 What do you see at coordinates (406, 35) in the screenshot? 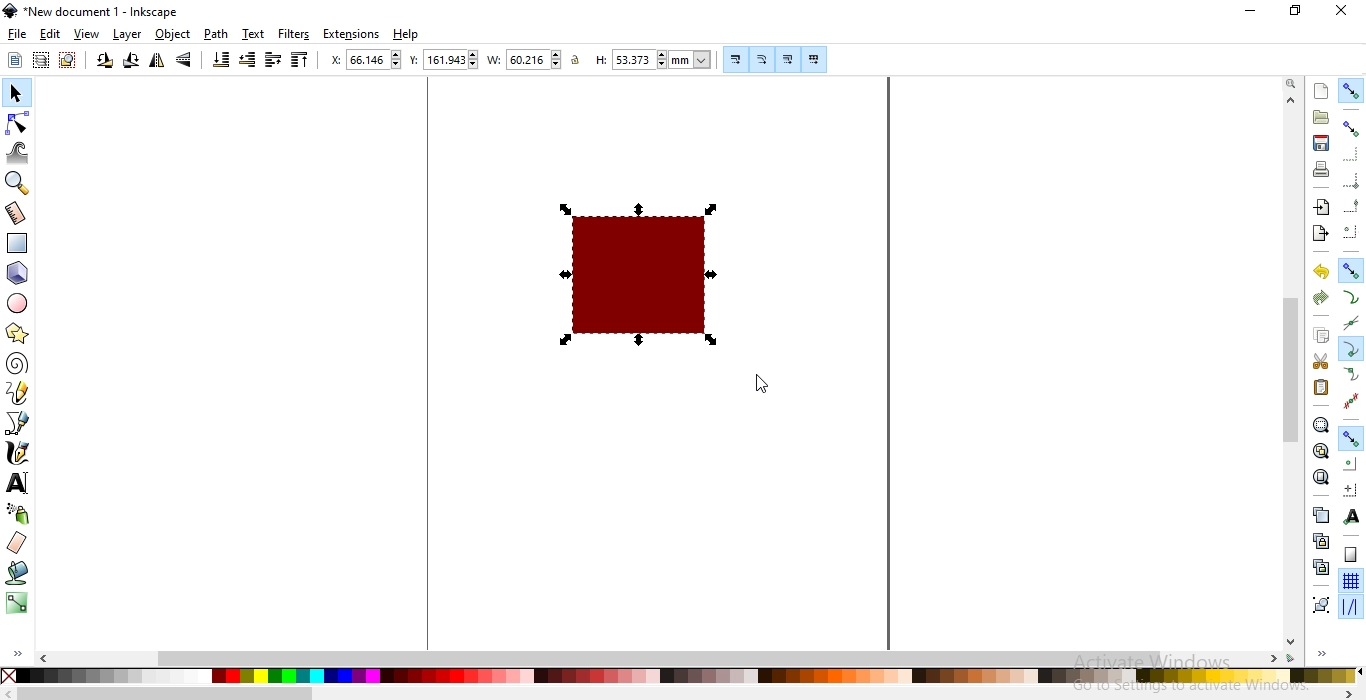
I see `help` at bounding box center [406, 35].